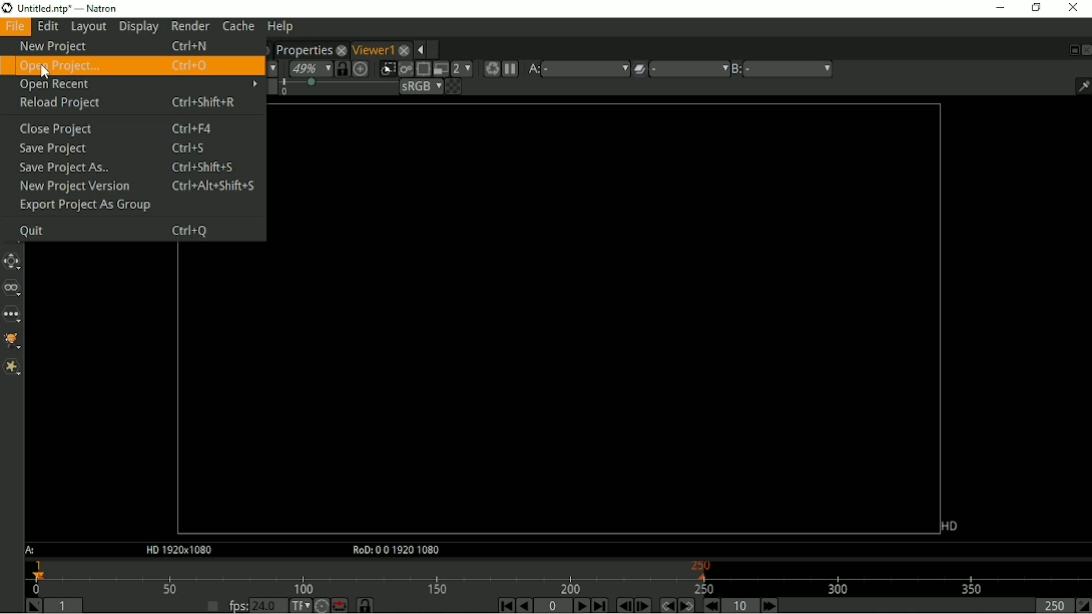  I want to click on Next increment, so click(770, 605).